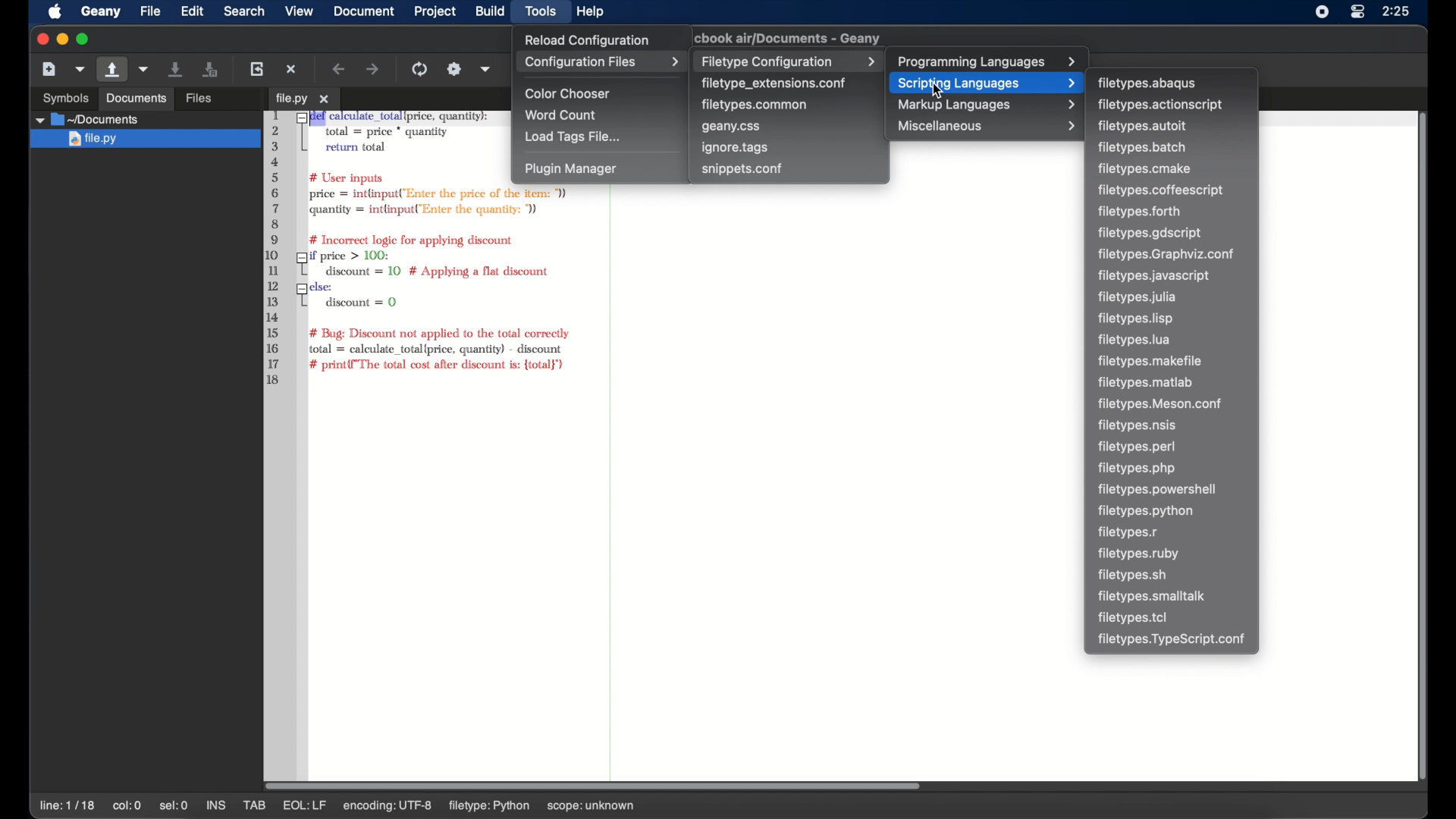  What do you see at coordinates (55, 12) in the screenshot?
I see `apple icon` at bounding box center [55, 12].